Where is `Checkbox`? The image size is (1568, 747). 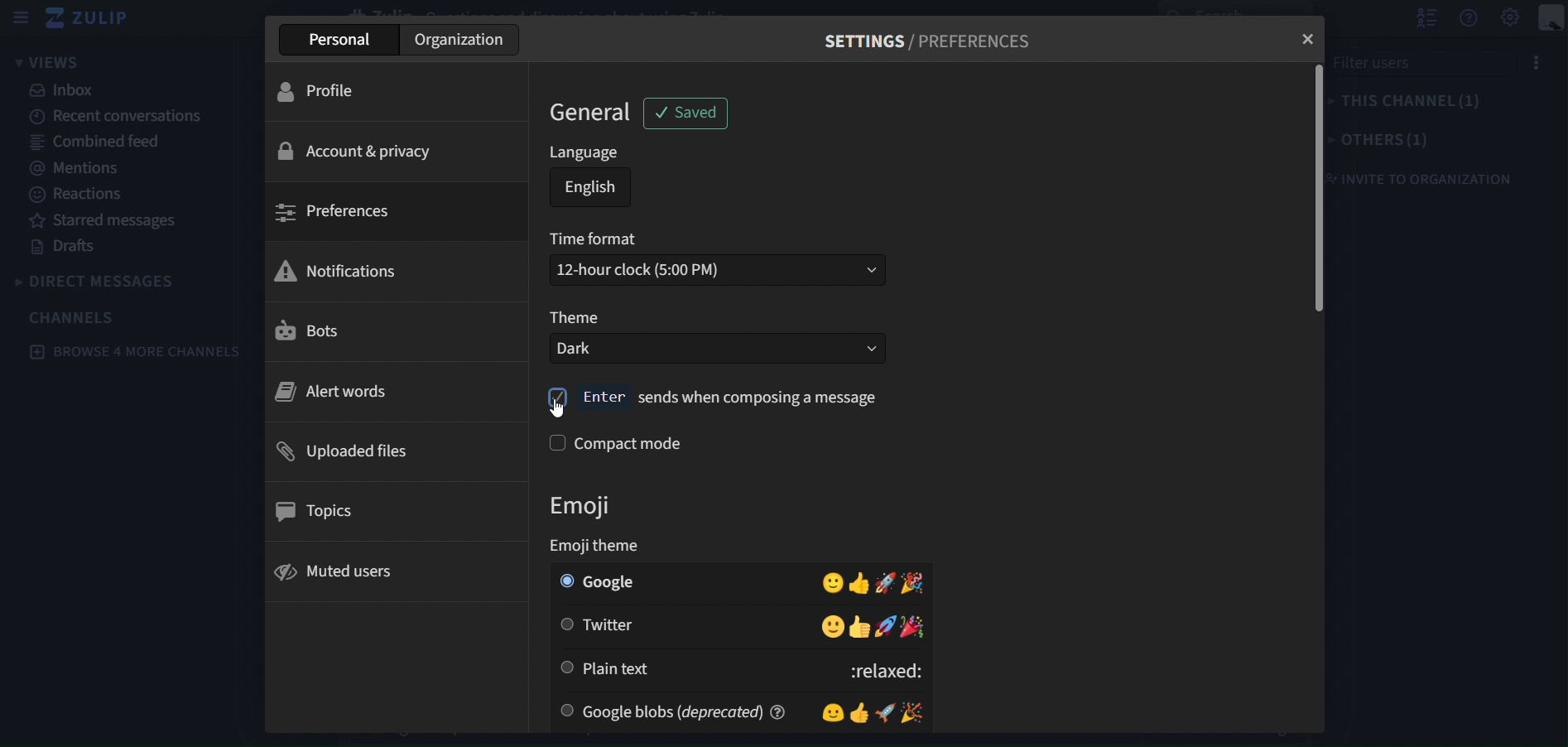 Checkbox is located at coordinates (565, 624).